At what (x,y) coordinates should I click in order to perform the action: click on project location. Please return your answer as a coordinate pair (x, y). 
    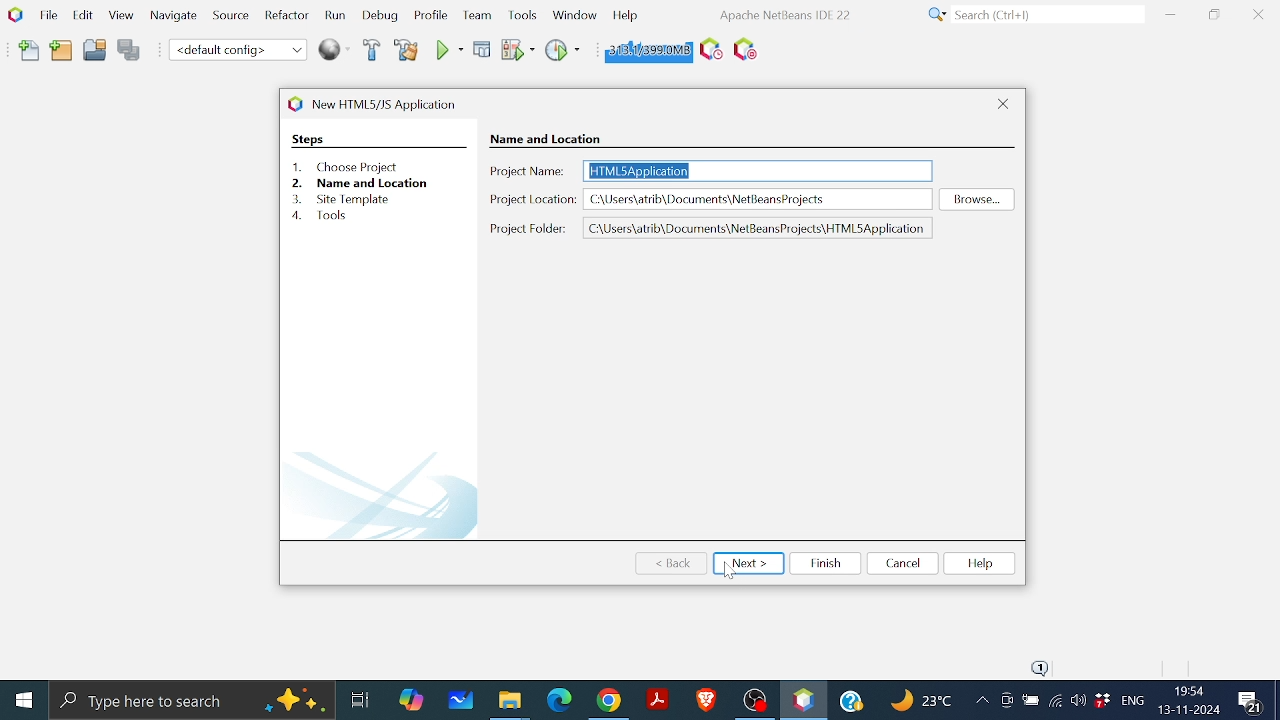
    Looking at the image, I should click on (758, 199).